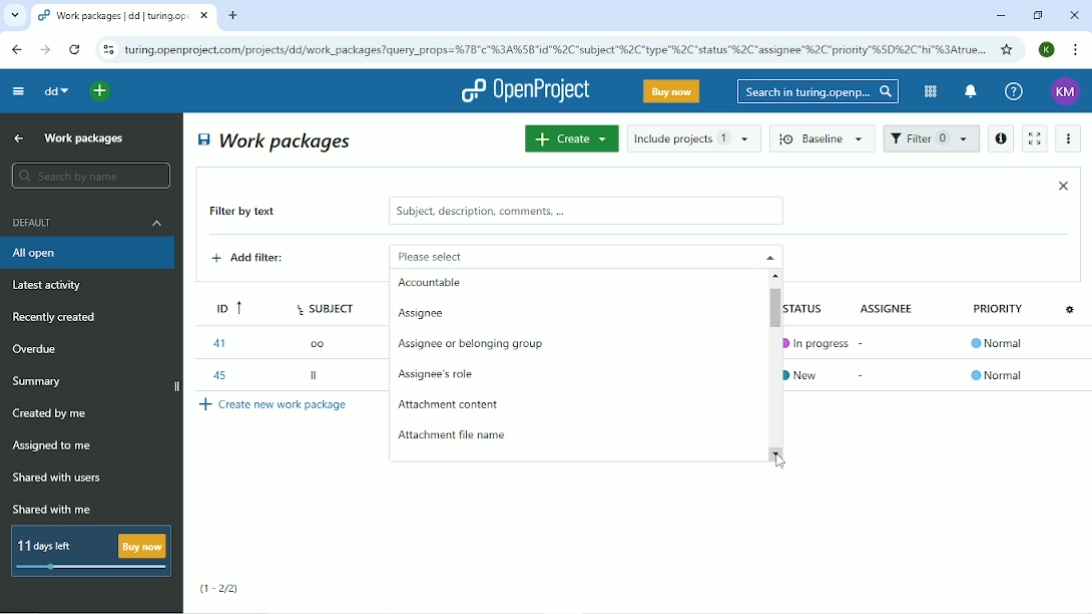 Image resolution: width=1092 pixels, height=614 pixels. What do you see at coordinates (1000, 345) in the screenshot?
I see `Normal` at bounding box center [1000, 345].